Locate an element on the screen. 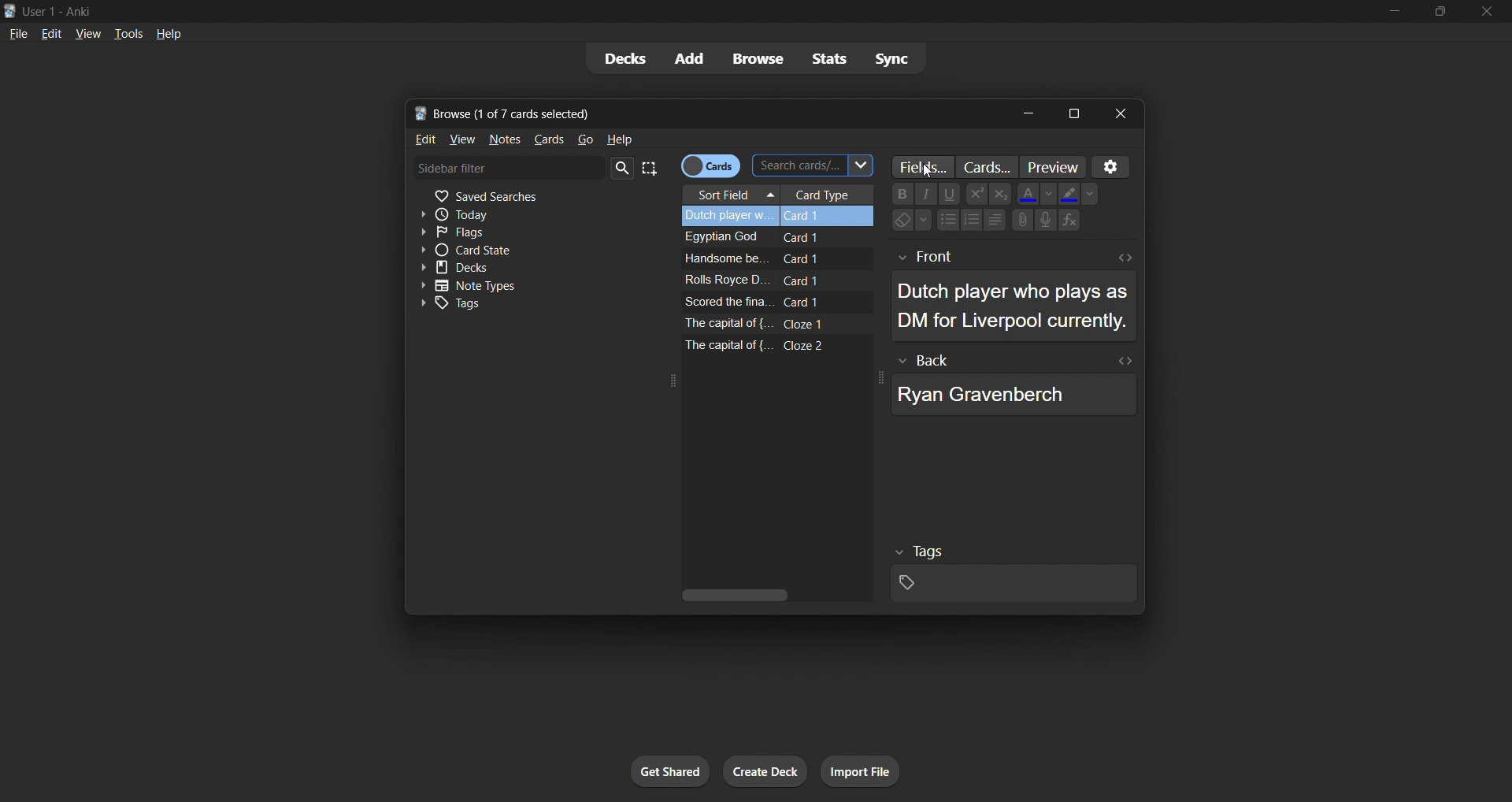  Bold is located at coordinates (896, 193).